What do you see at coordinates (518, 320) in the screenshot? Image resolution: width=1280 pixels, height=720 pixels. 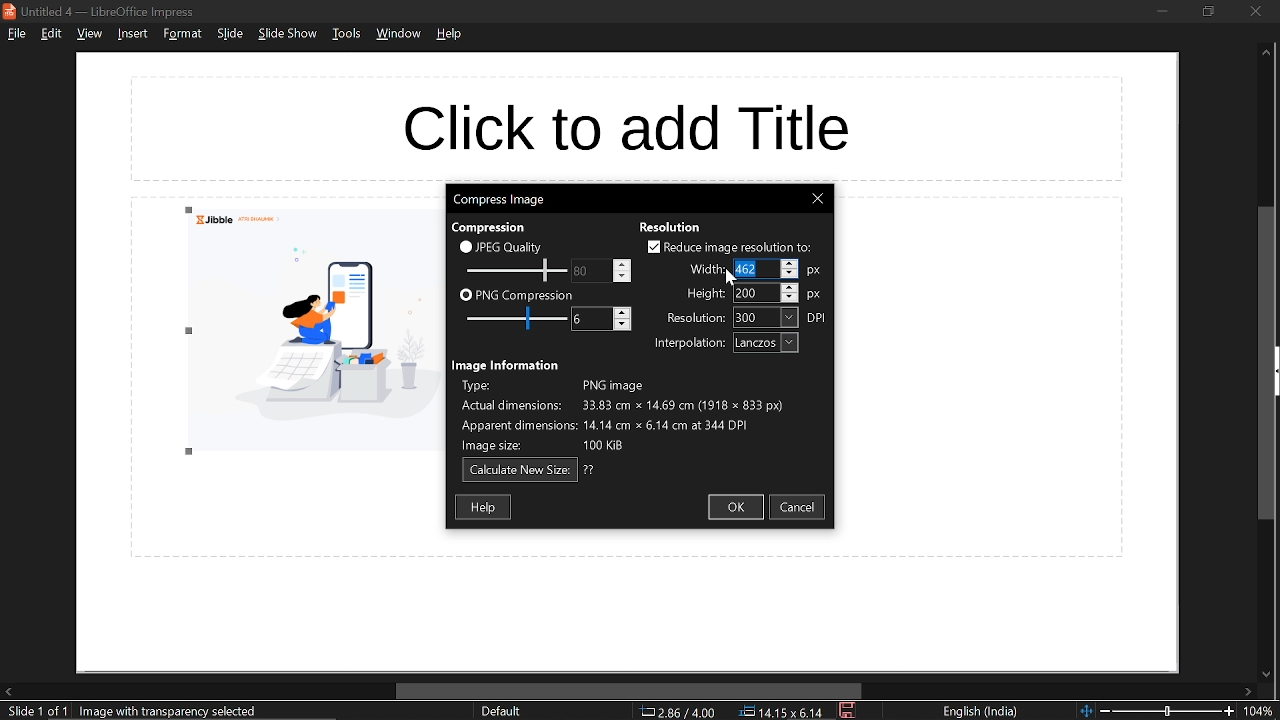 I see `JPEG quality scale` at bounding box center [518, 320].